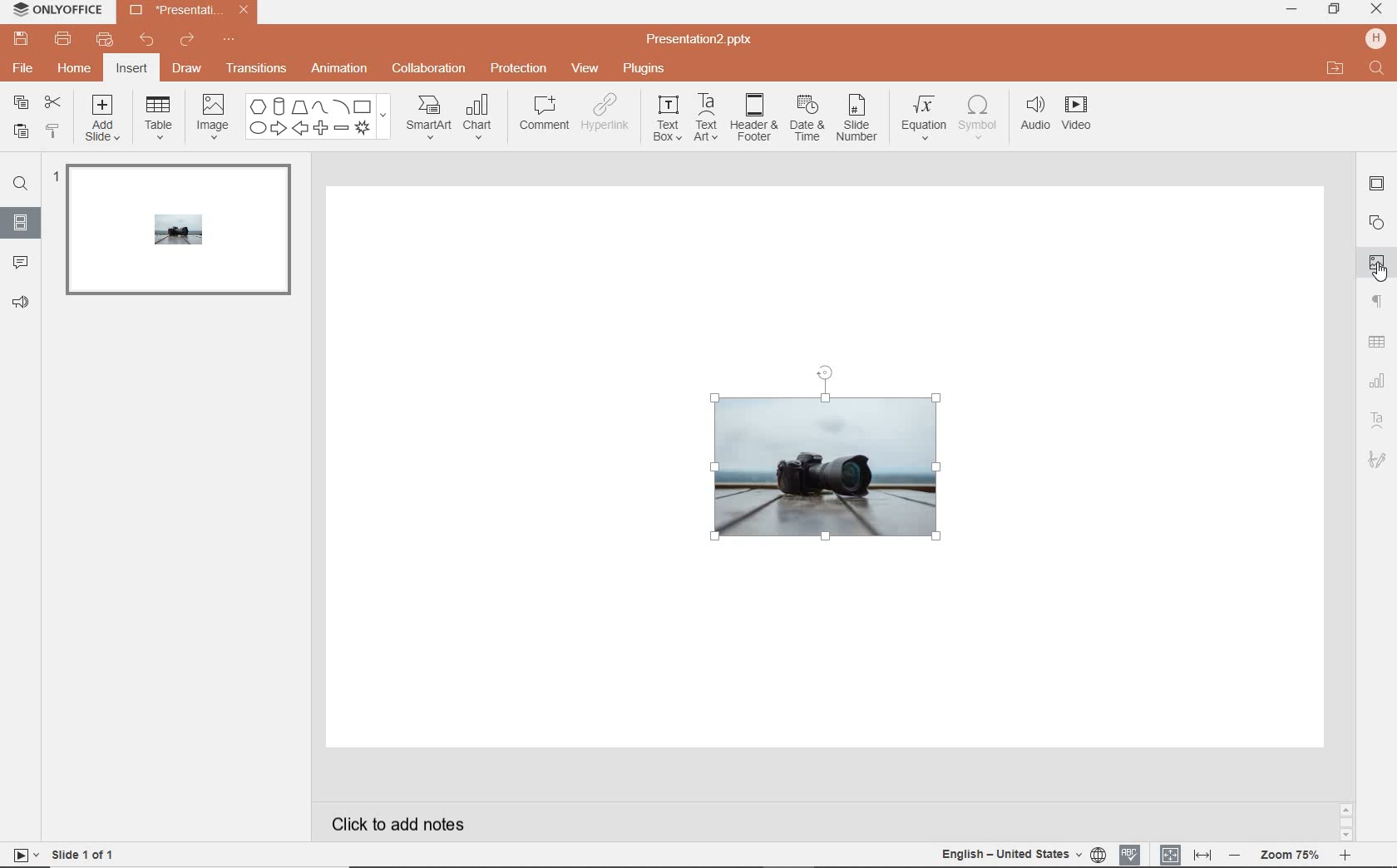 The height and width of the screenshot is (868, 1397). What do you see at coordinates (64, 39) in the screenshot?
I see `print` at bounding box center [64, 39].